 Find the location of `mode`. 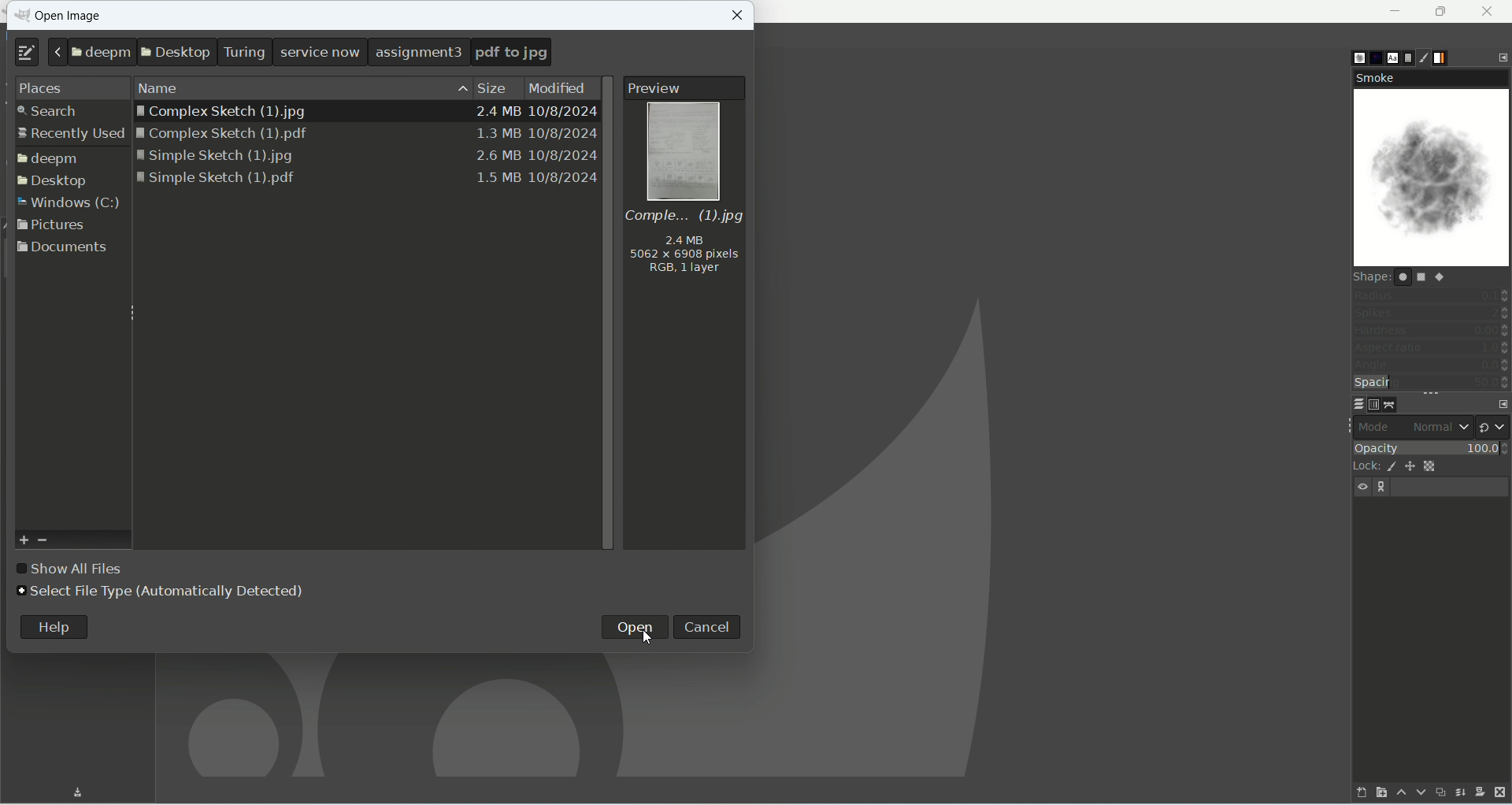

mode is located at coordinates (1377, 427).